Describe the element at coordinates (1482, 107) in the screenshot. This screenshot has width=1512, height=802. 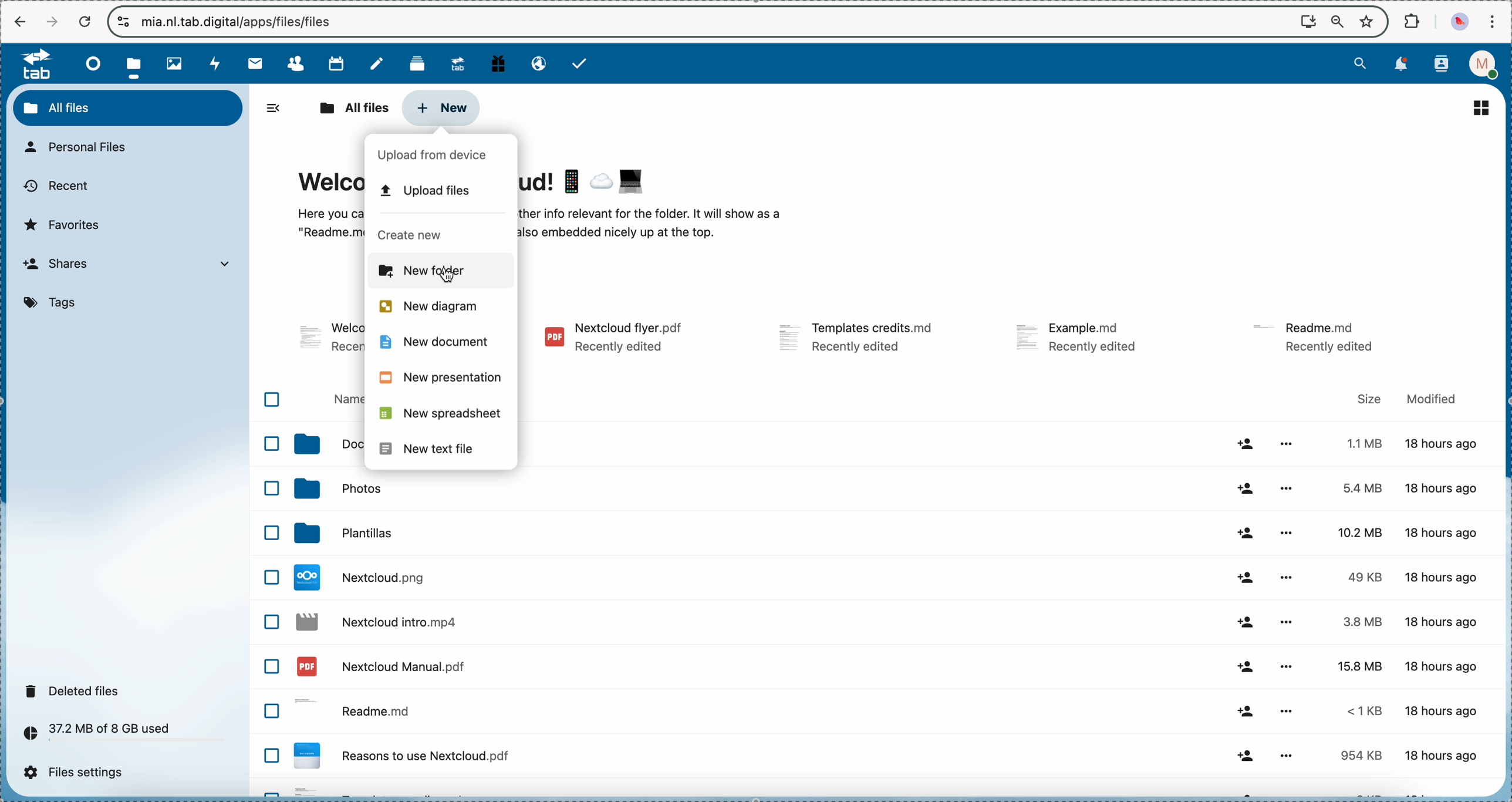
I see `list view` at that location.